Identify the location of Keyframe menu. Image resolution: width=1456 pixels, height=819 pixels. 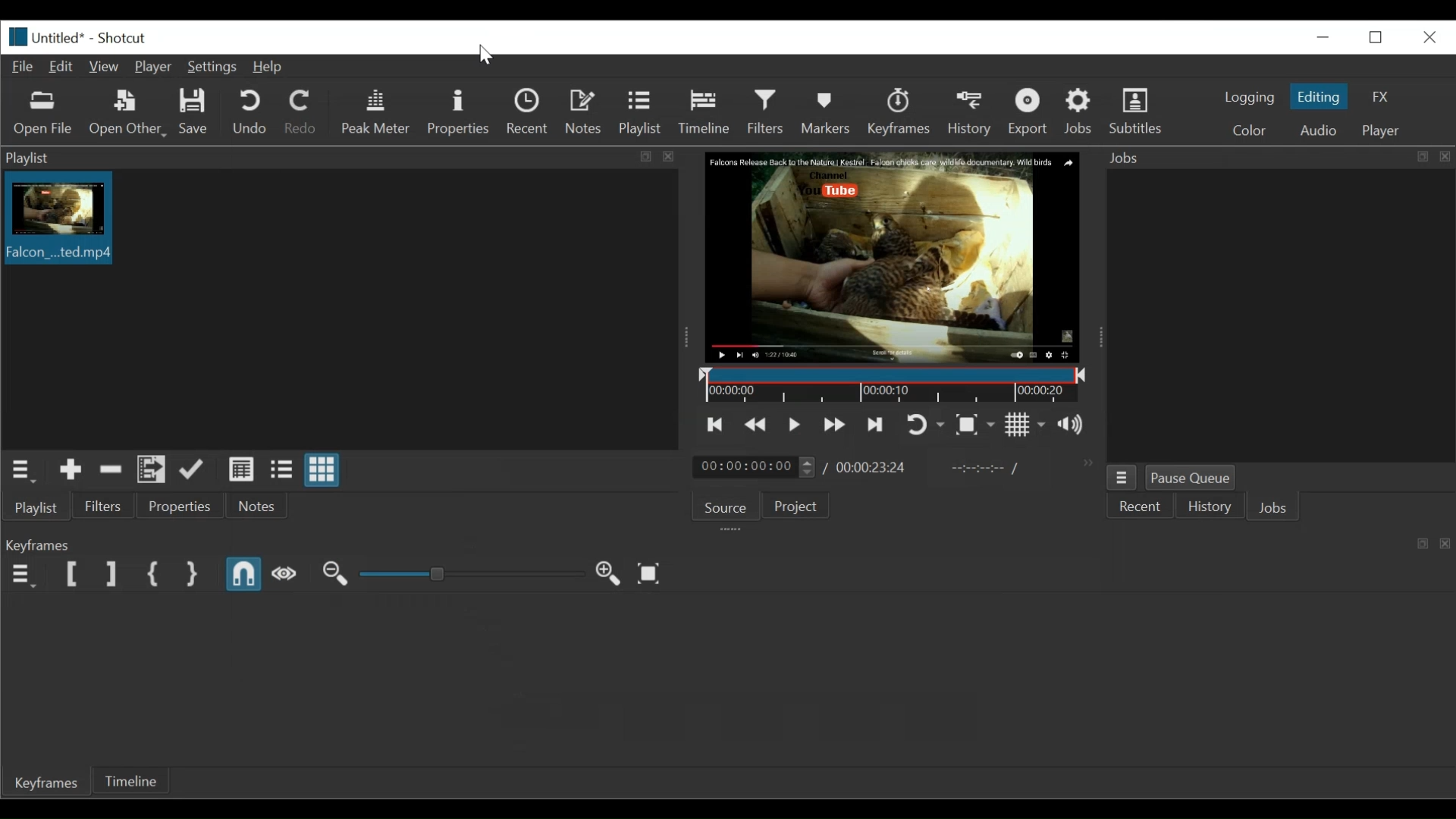
(21, 576).